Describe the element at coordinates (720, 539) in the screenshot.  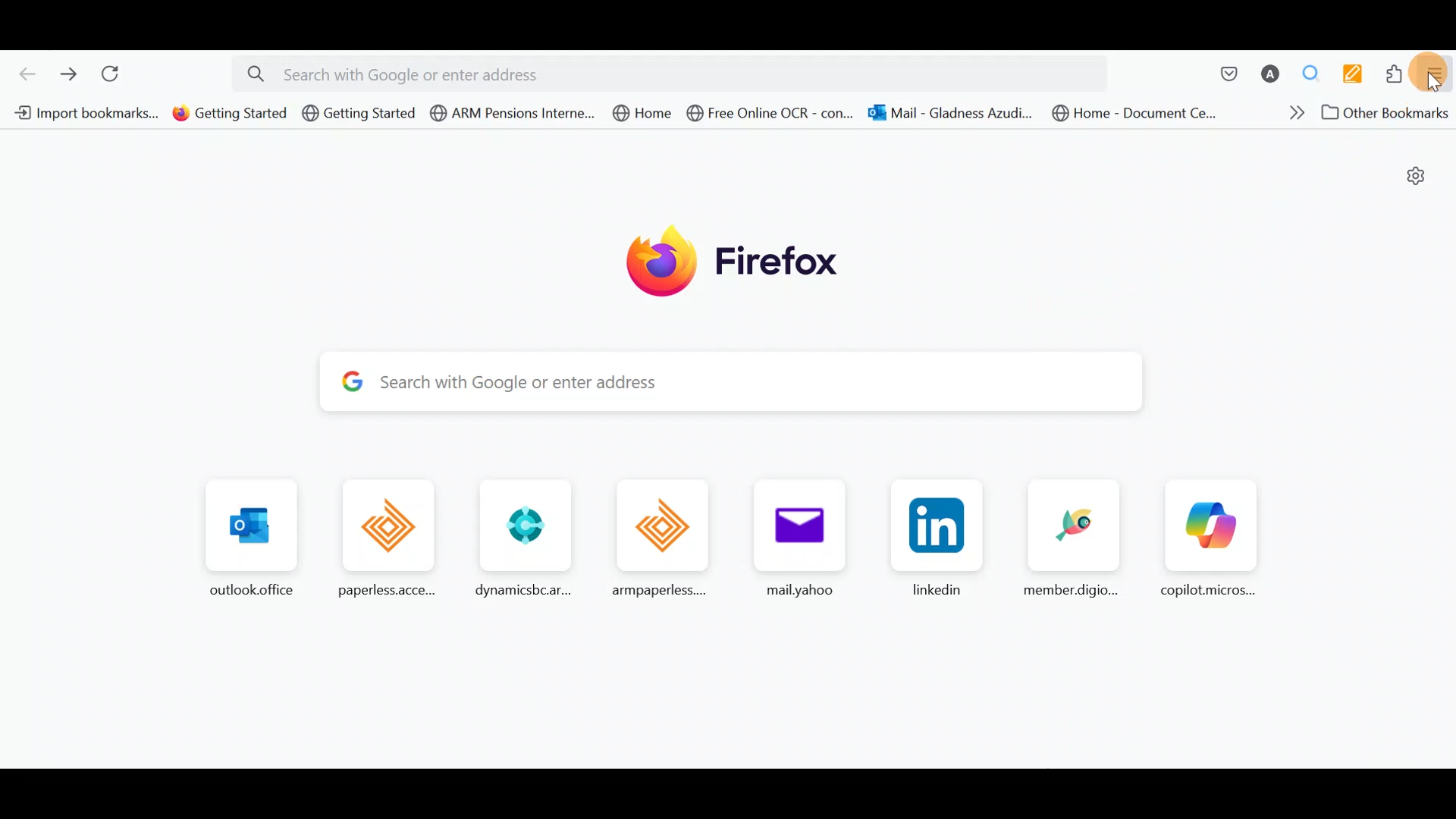
I see `Frequently browsed pages` at that location.